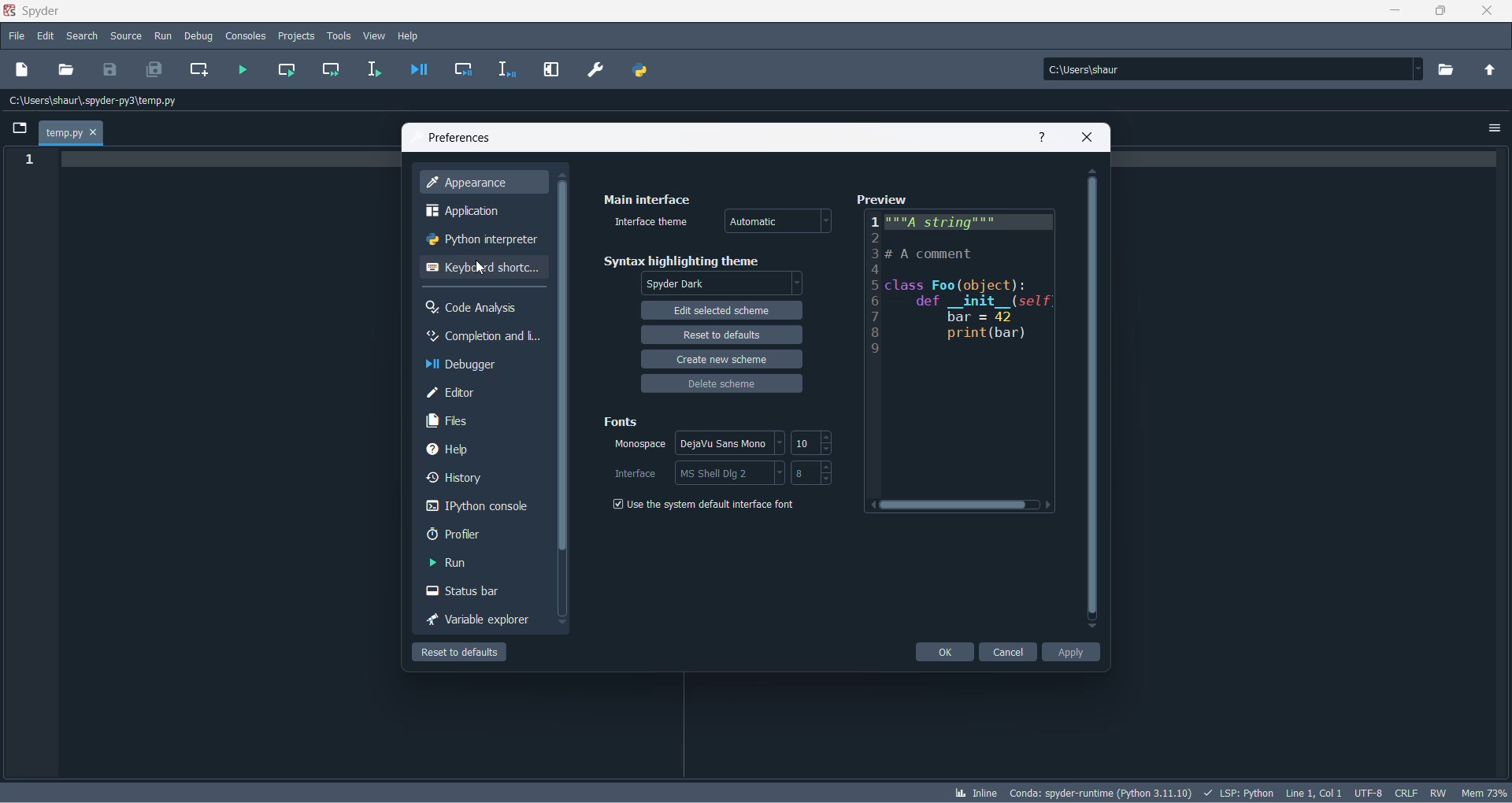  I want to click on run file, so click(239, 70).